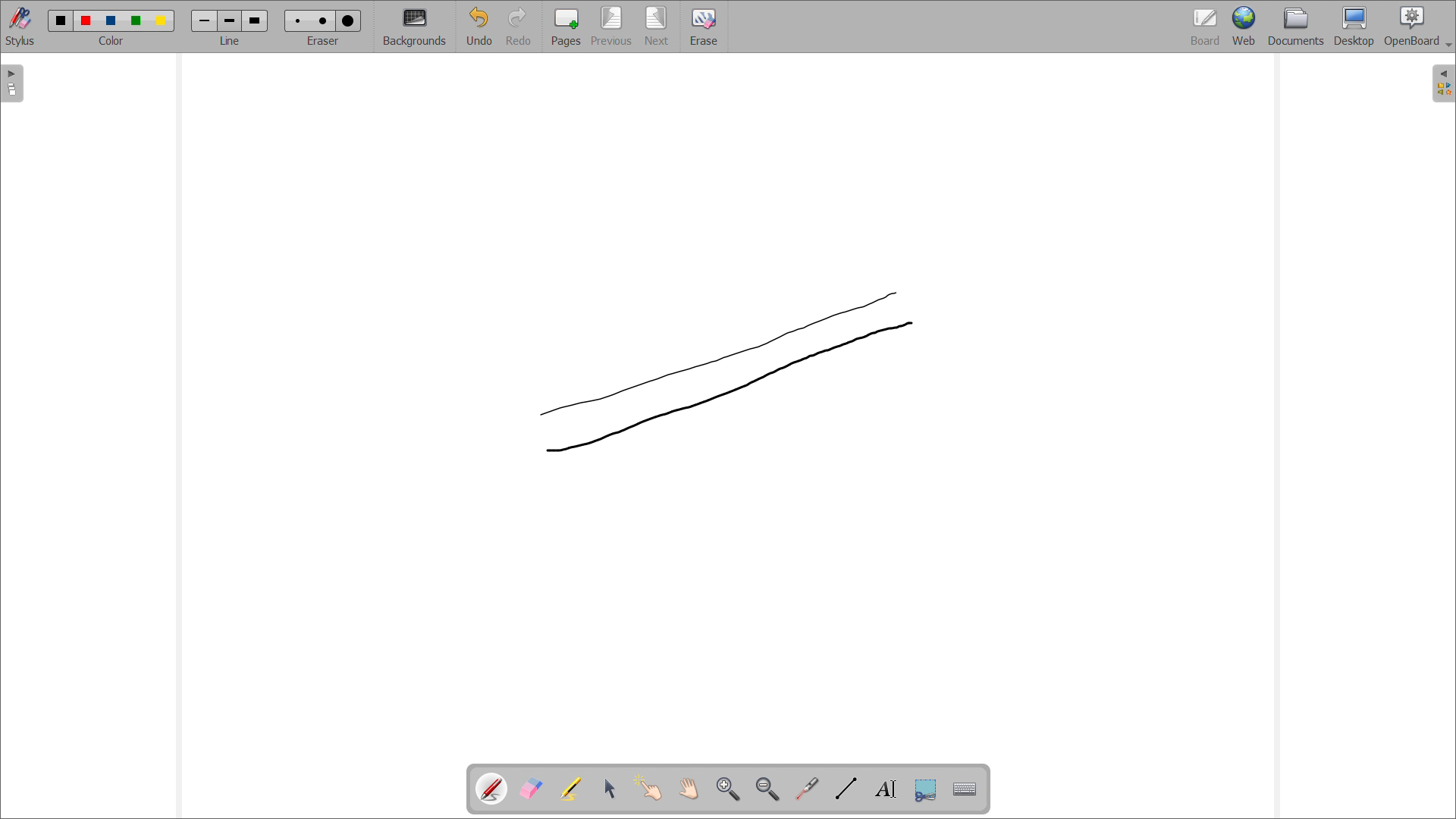  What do you see at coordinates (206, 22) in the screenshot?
I see `line width size` at bounding box center [206, 22].